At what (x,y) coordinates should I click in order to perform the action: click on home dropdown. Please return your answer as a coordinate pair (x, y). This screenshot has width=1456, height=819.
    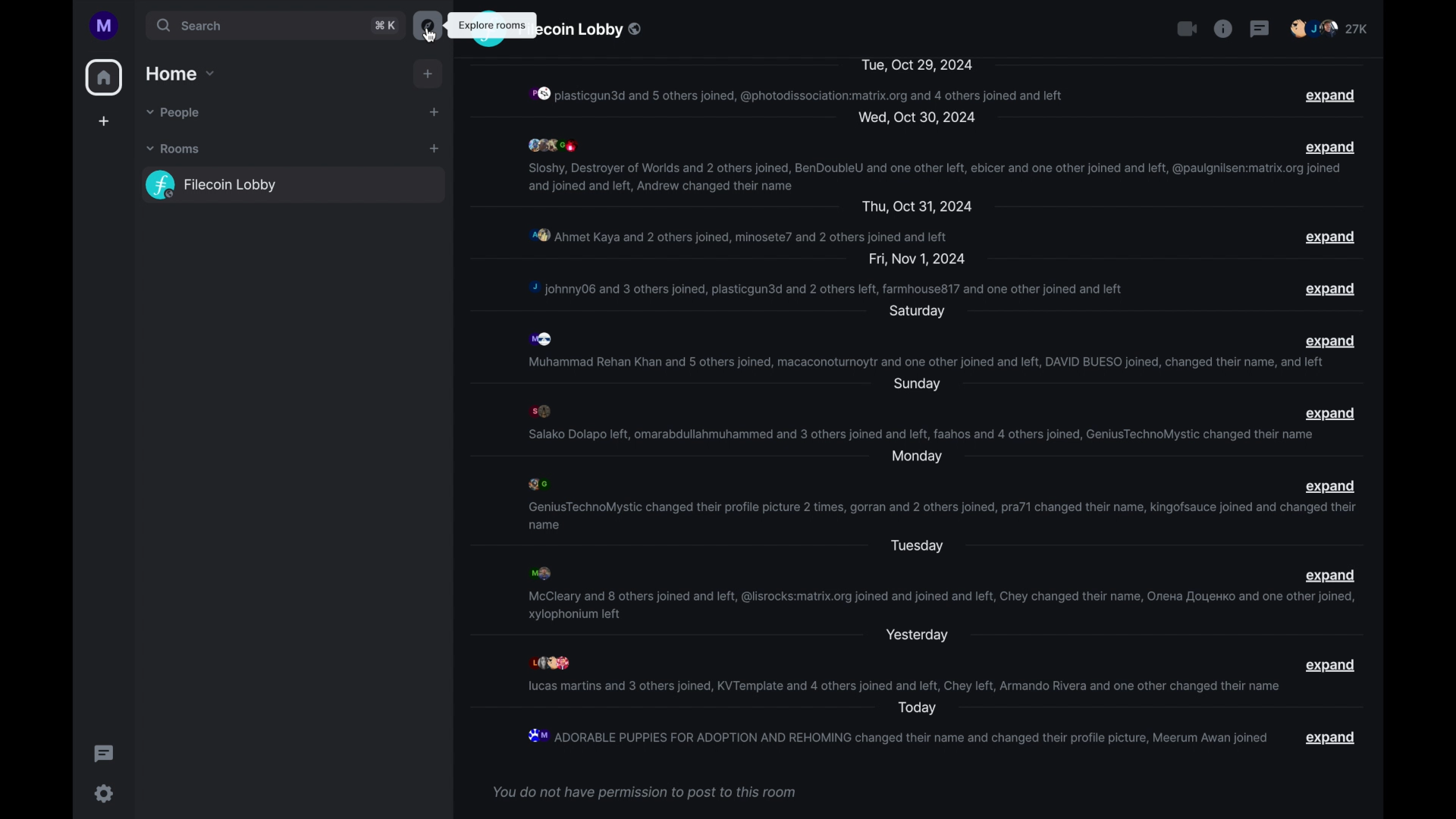
    Looking at the image, I should click on (181, 74).